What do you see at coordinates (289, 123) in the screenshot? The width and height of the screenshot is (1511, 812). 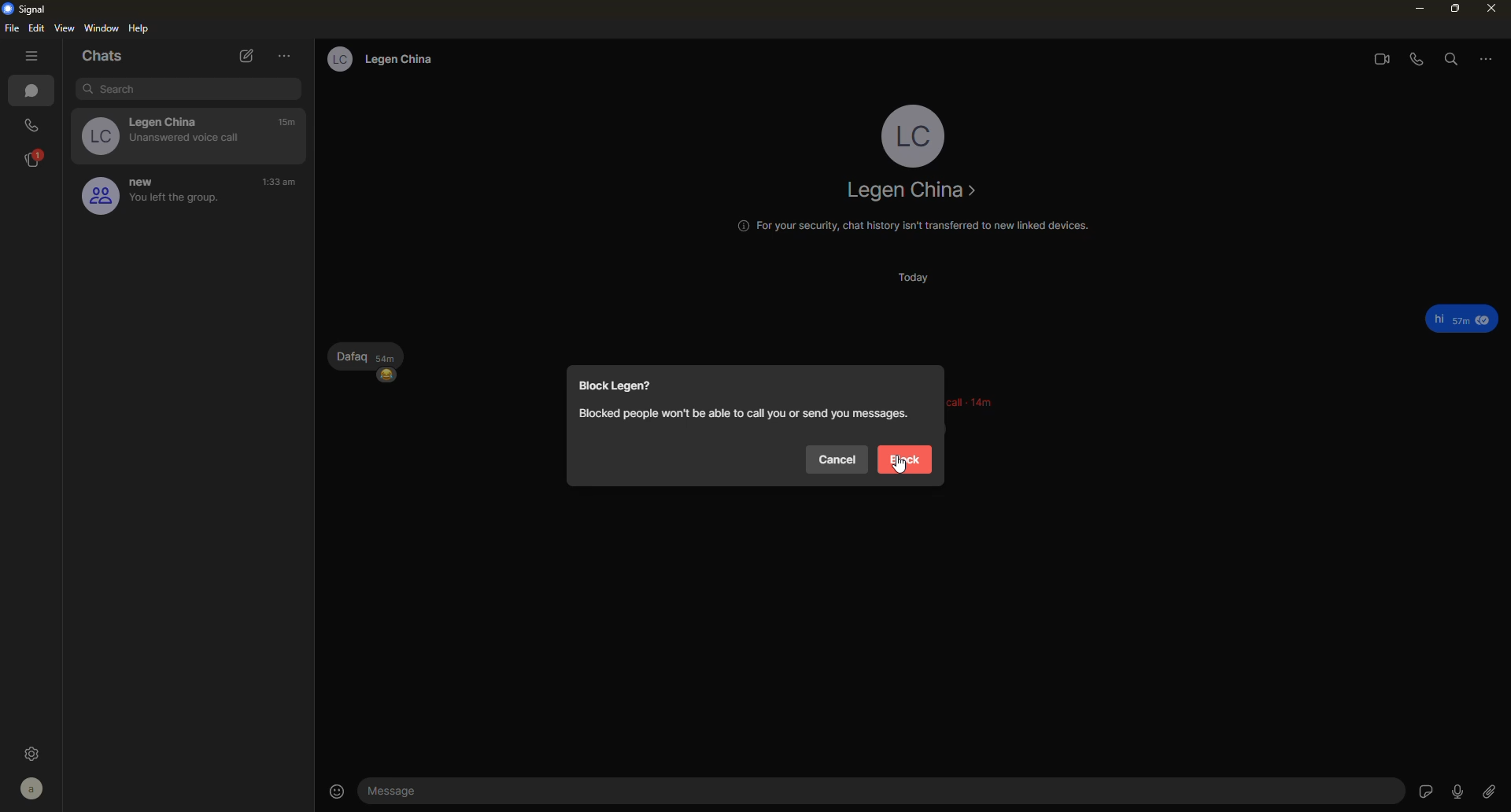 I see `time` at bounding box center [289, 123].